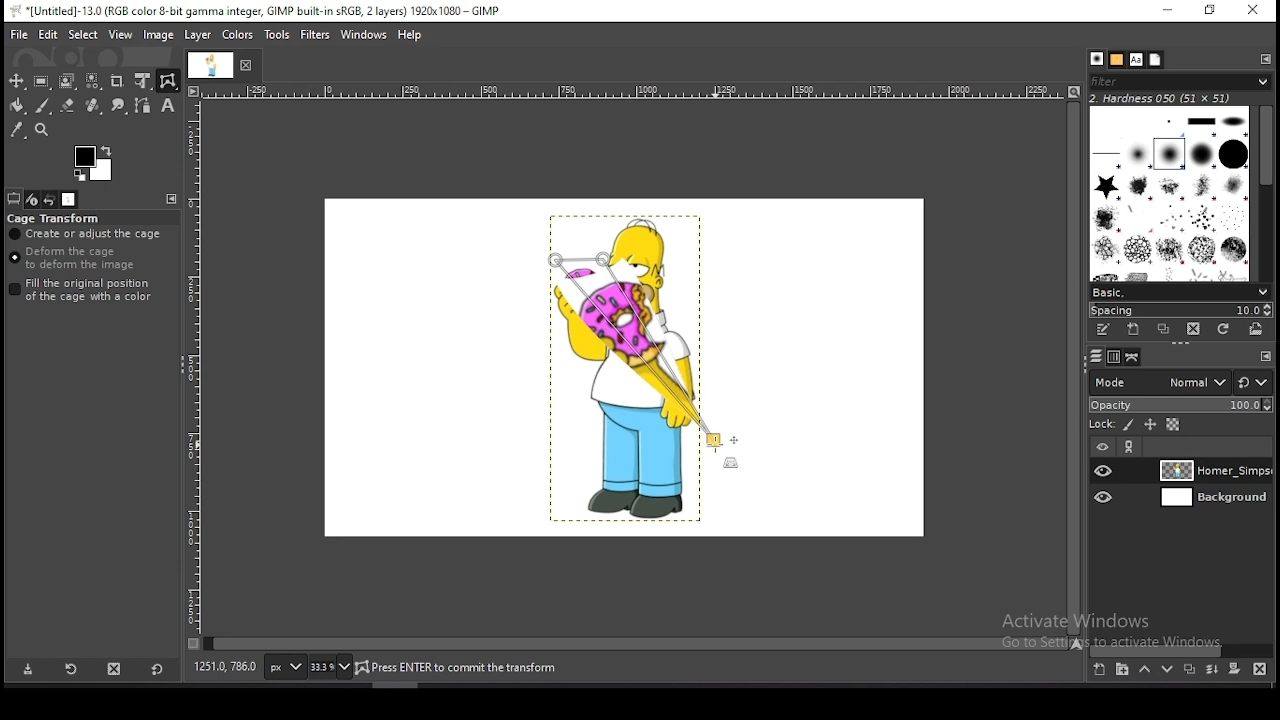 The width and height of the screenshot is (1280, 720). Describe the element at coordinates (1105, 471) in the screenshot. I see `layer visibility on/off` at that location.